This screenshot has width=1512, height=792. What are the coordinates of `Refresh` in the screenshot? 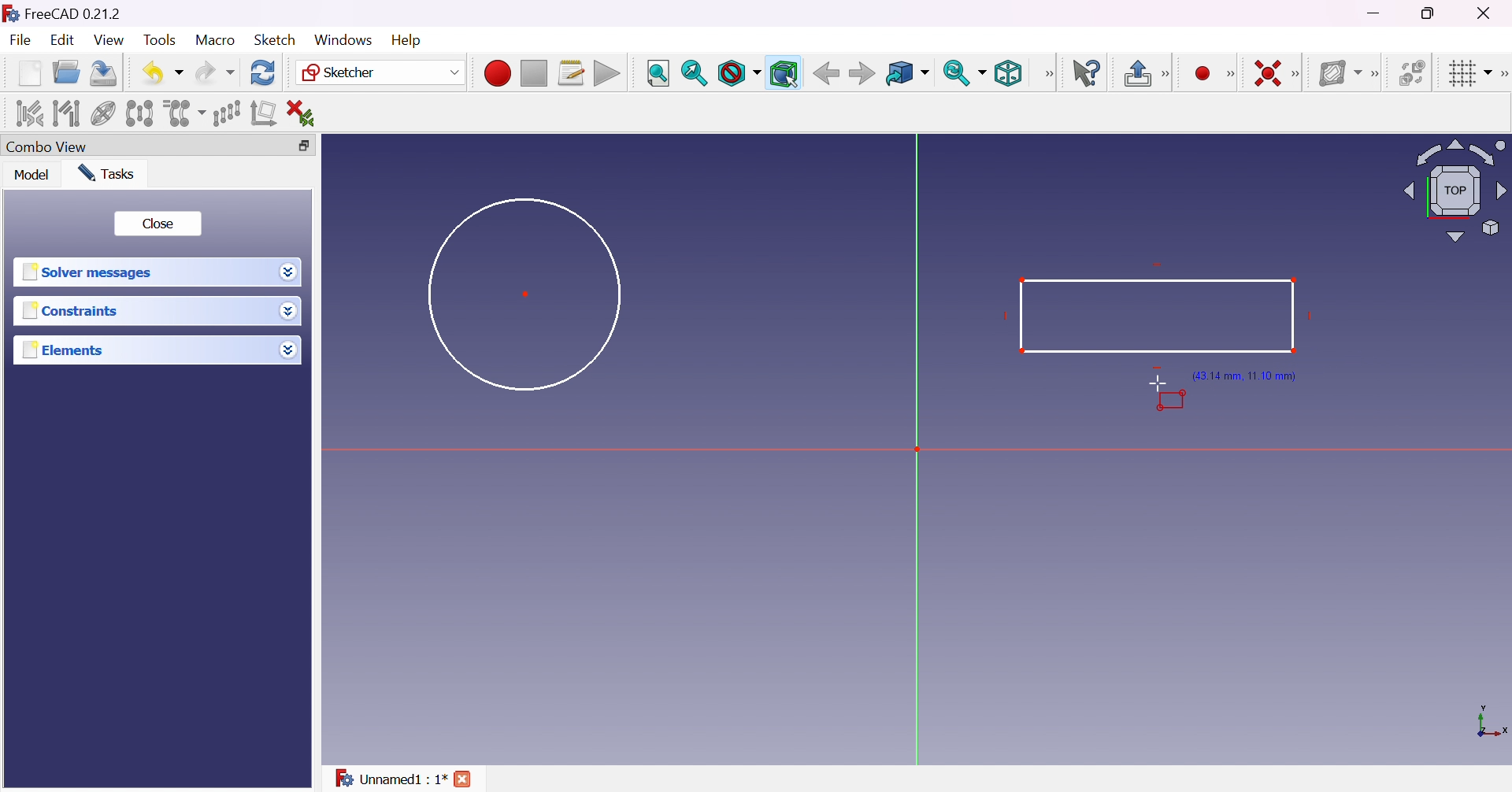 It's located at (263, 72).